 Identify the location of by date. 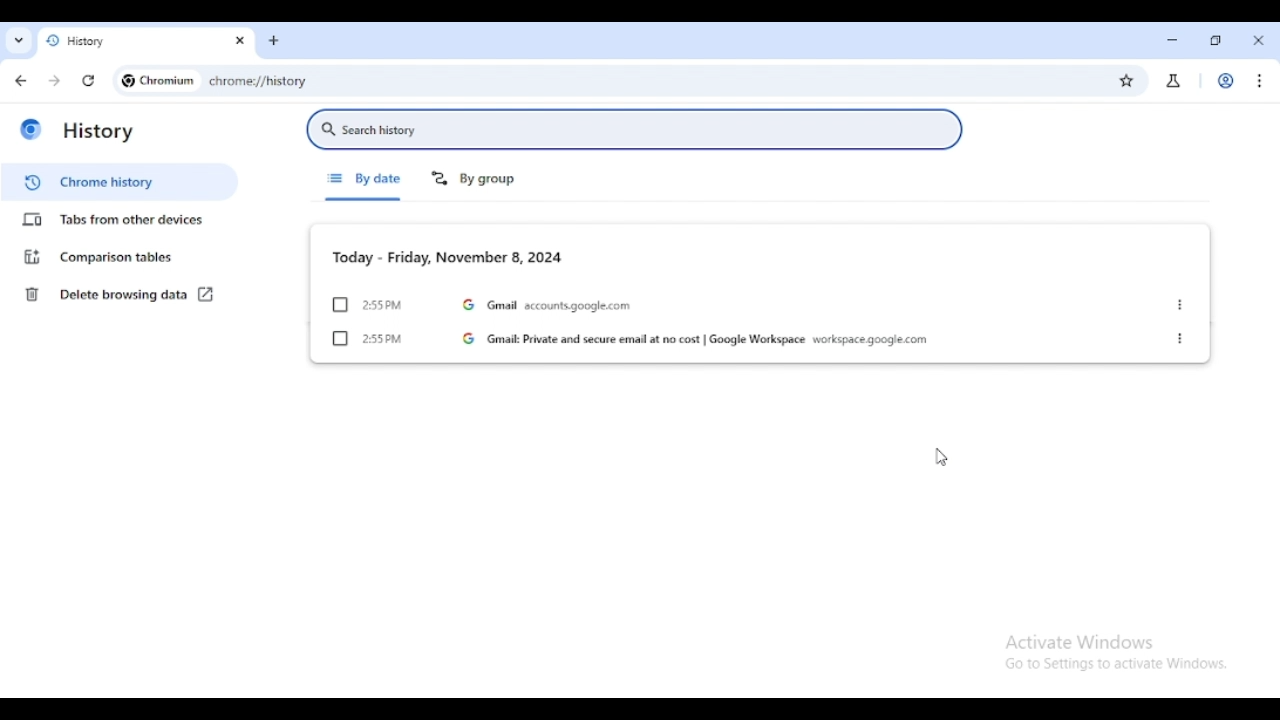
(365, 179).